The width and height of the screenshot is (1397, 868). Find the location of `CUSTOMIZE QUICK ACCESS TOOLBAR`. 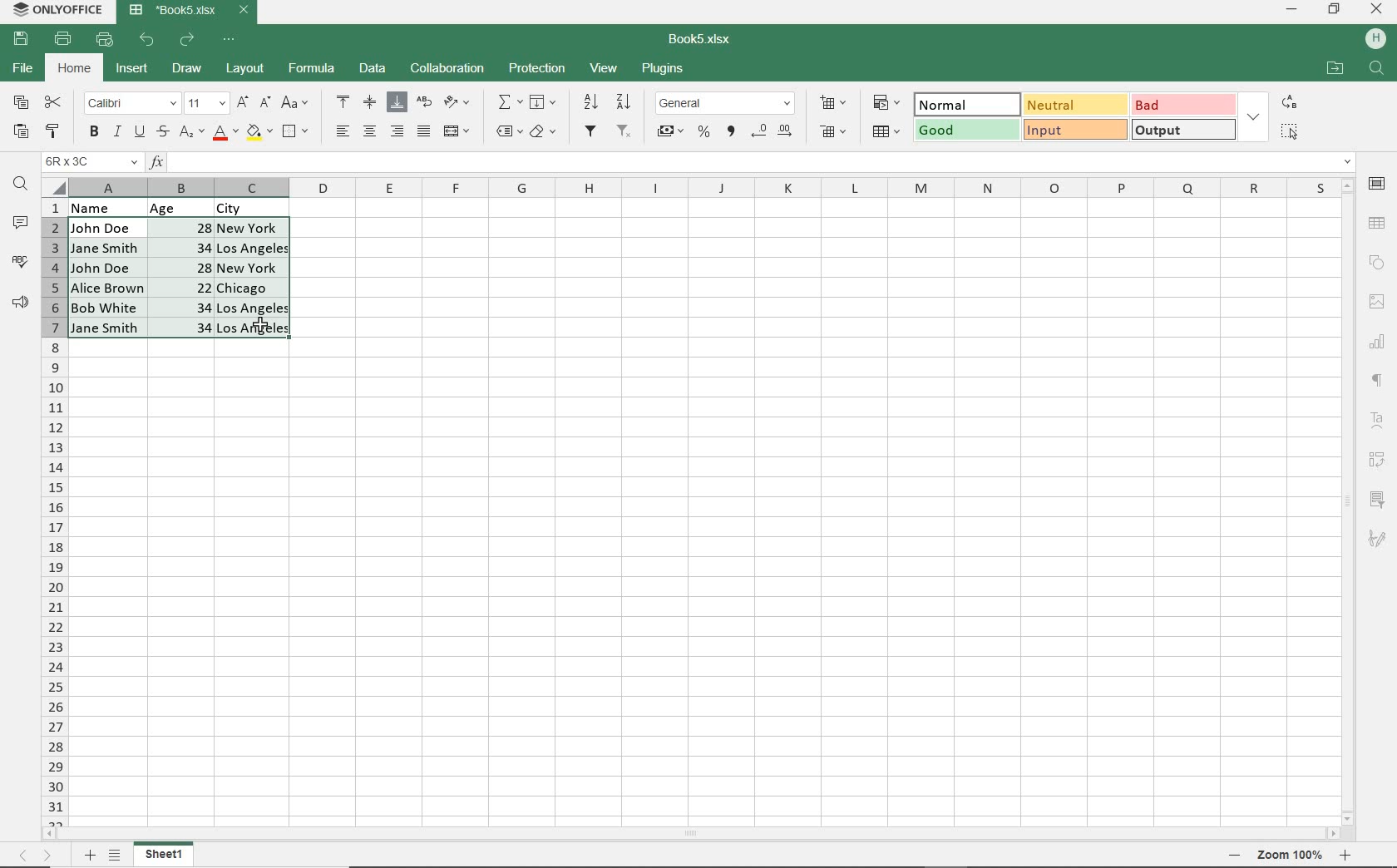

CUSTOMIZE QUICK ACCESS TOOLBAR is located at coordinates (234, 38).